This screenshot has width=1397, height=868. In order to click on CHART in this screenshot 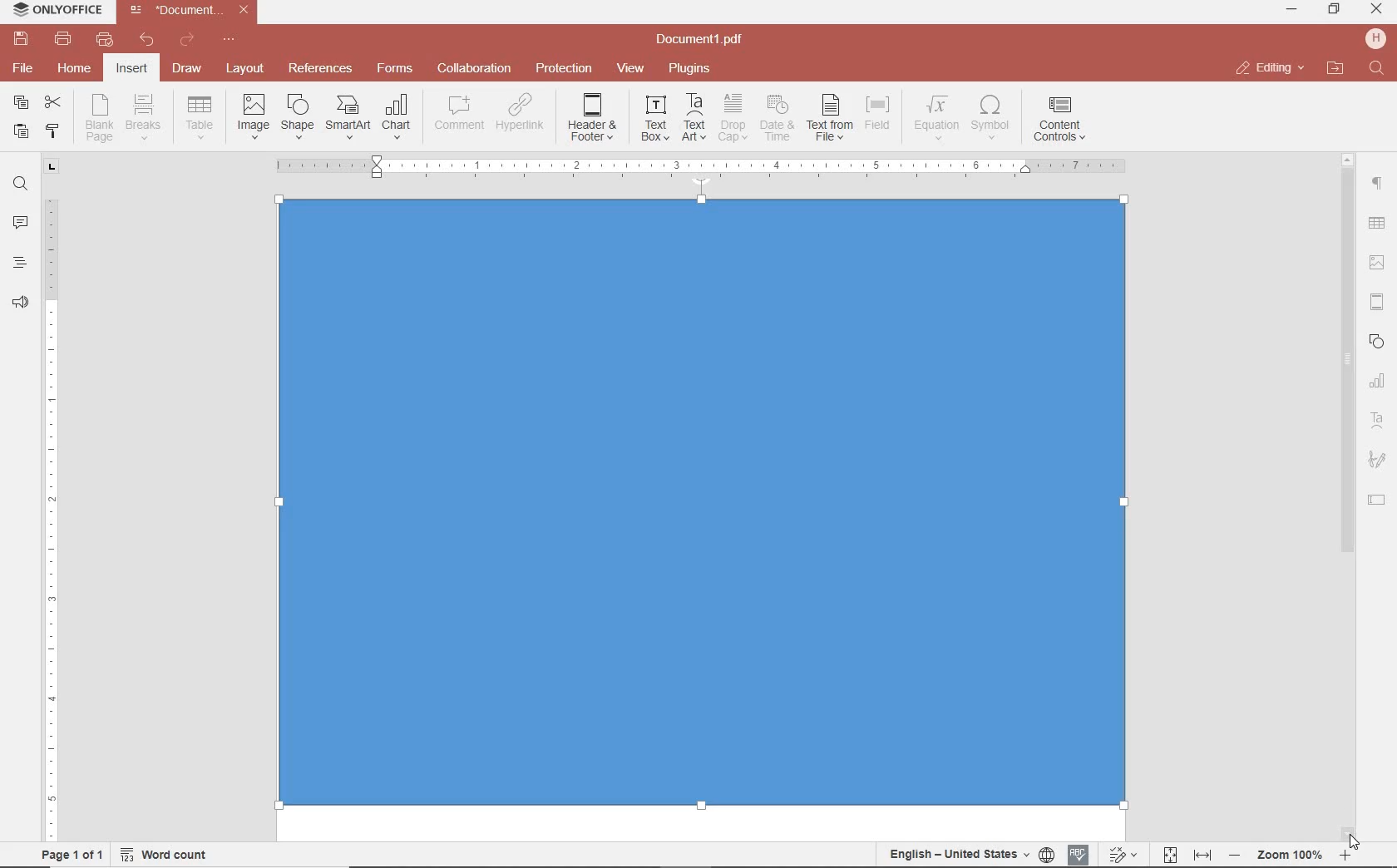, I will do `click(1378, 382)`.